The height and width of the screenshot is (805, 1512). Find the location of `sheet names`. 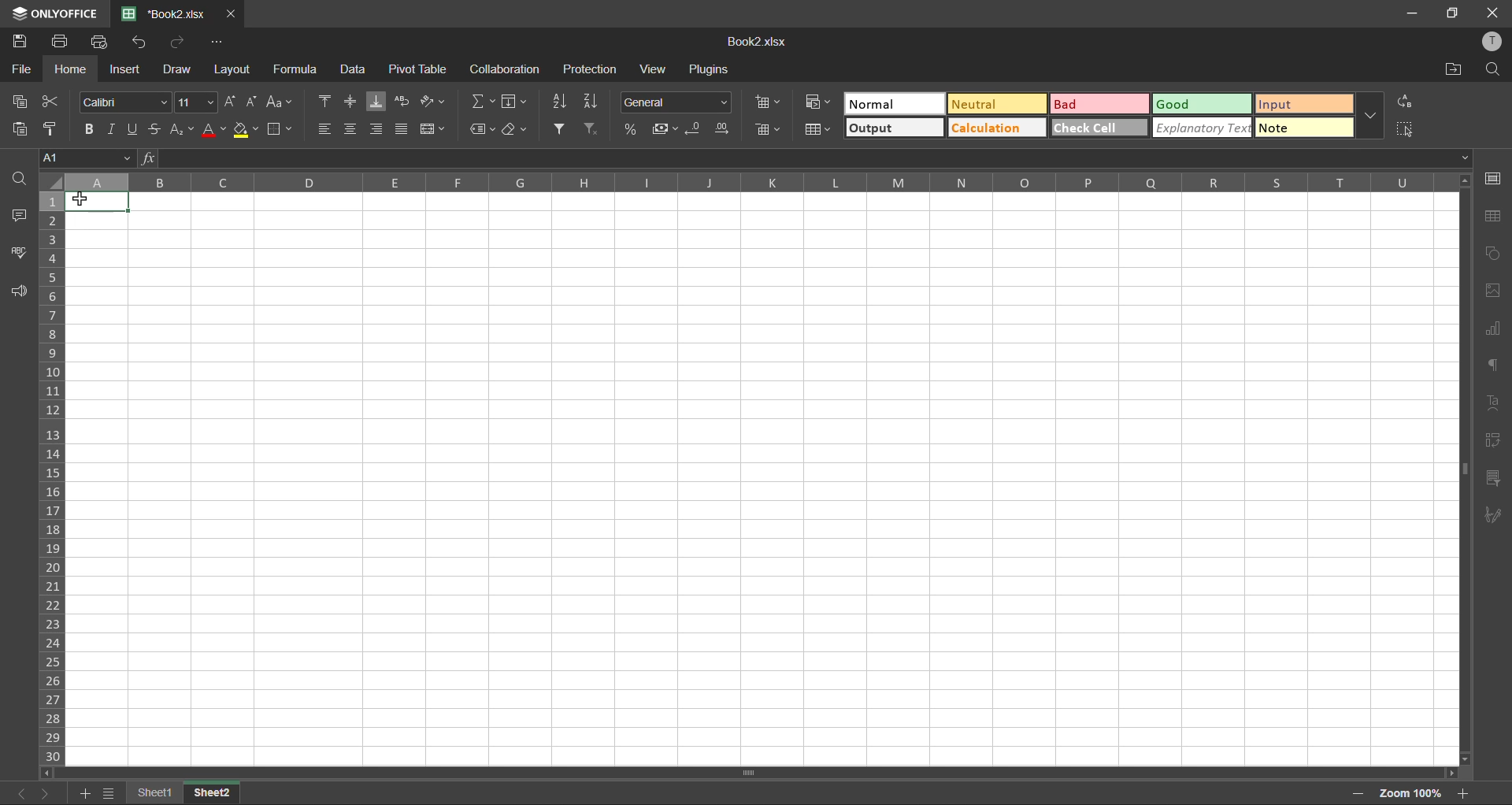

sheet names is located at coordinates (183, 793).